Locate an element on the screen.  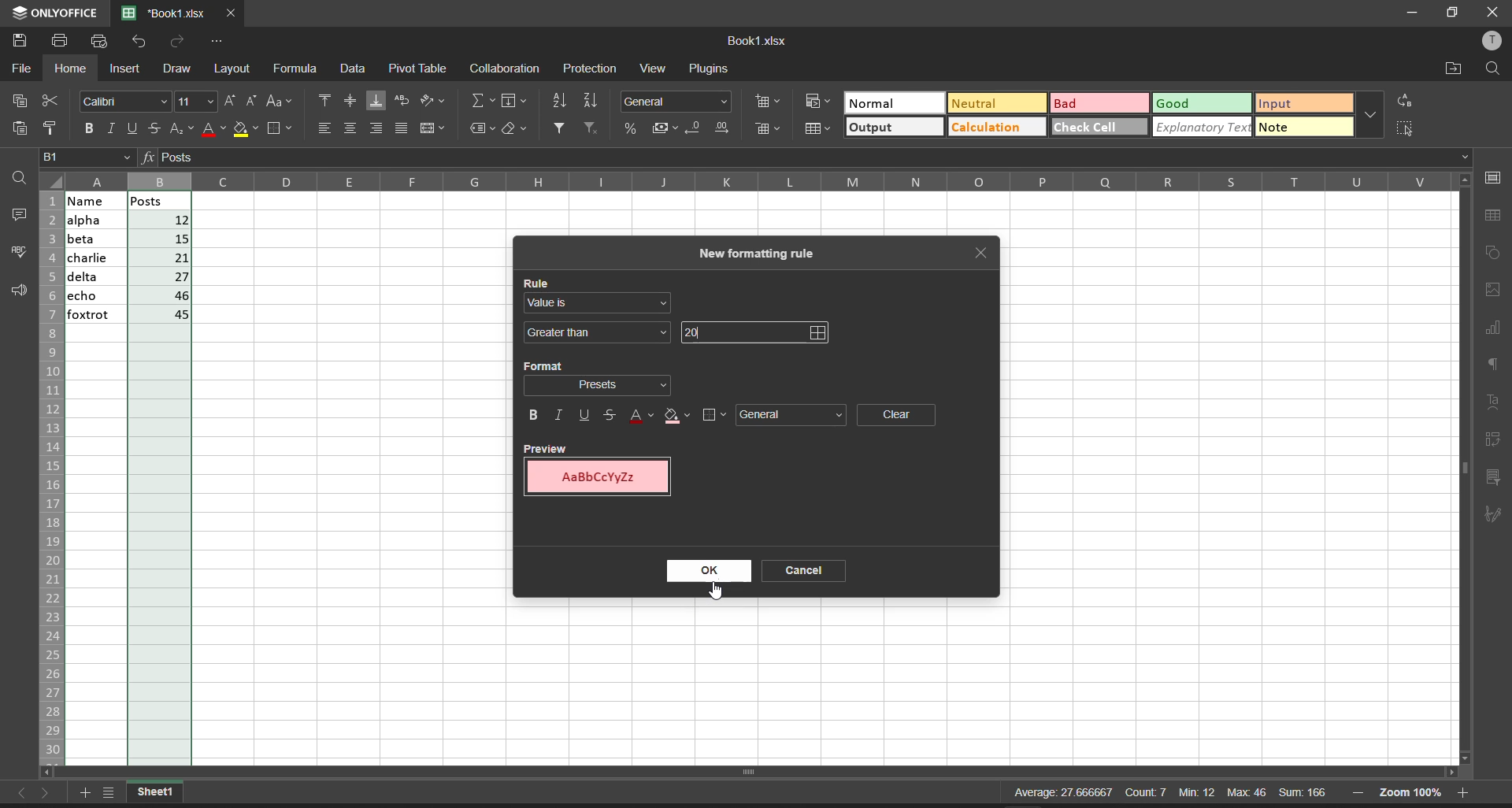
input is located at coordinates (1277, 103).